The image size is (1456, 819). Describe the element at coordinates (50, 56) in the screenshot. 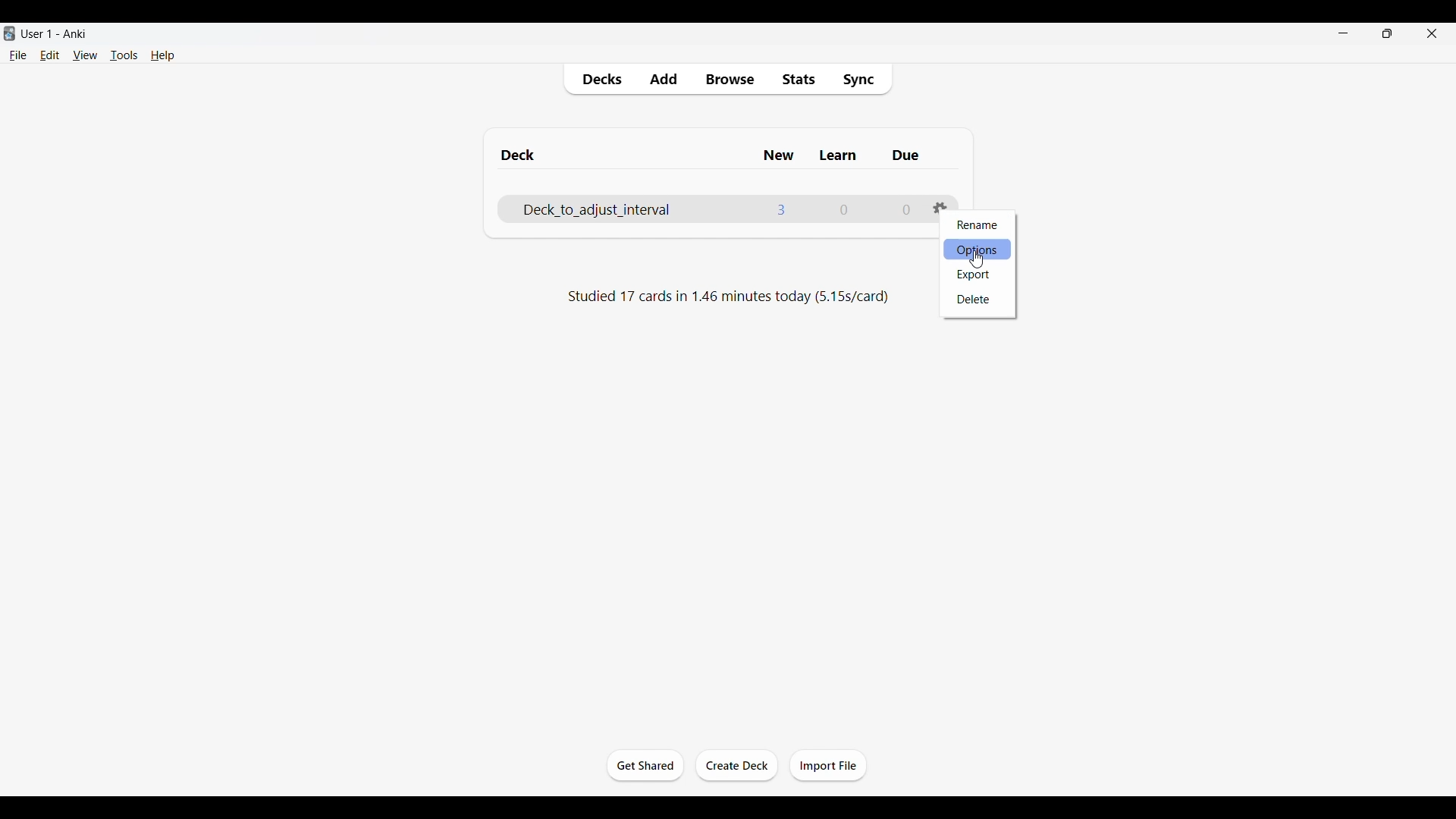

I see `Edit menu` at that location.